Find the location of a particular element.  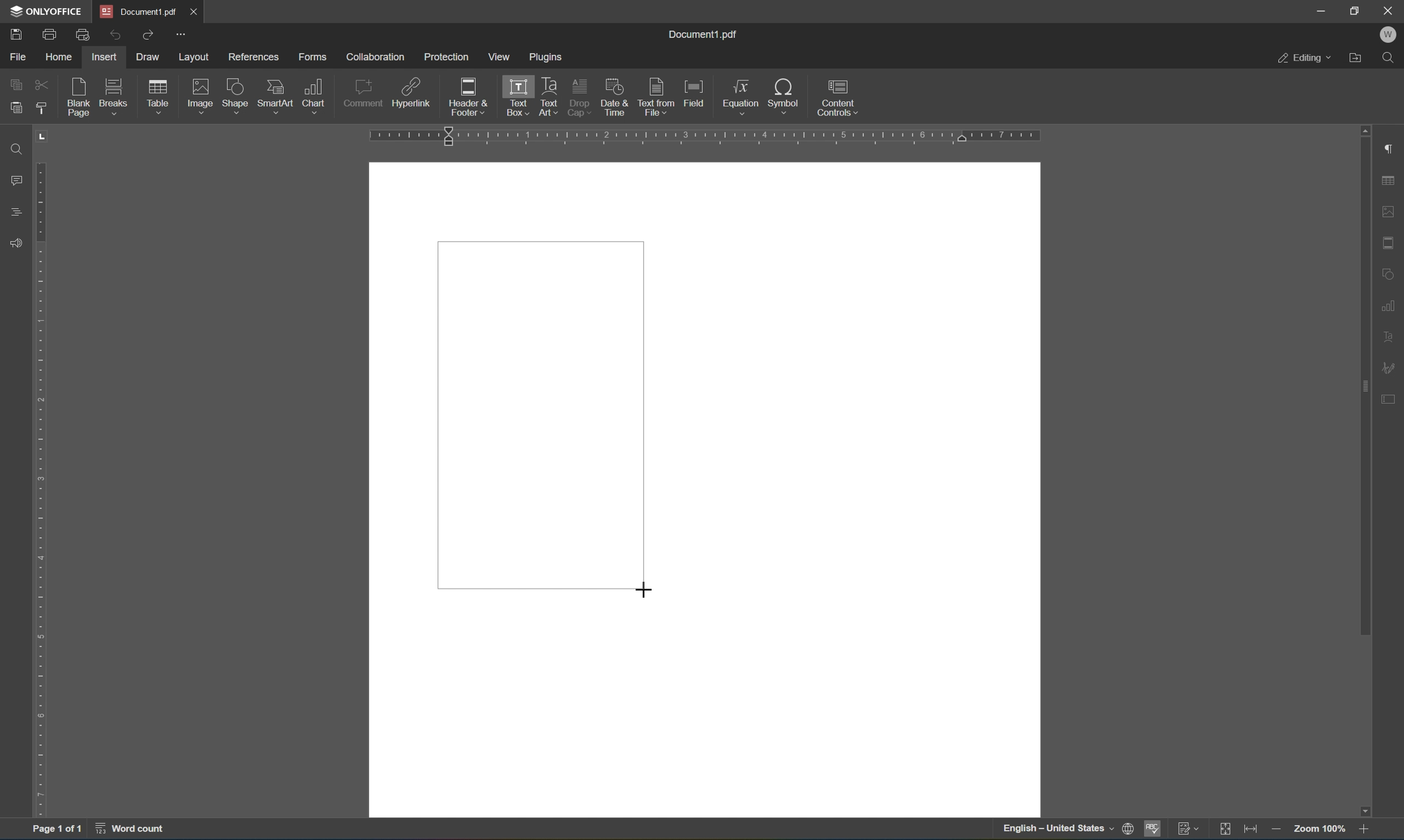

view is located at coordinates (498, 56).